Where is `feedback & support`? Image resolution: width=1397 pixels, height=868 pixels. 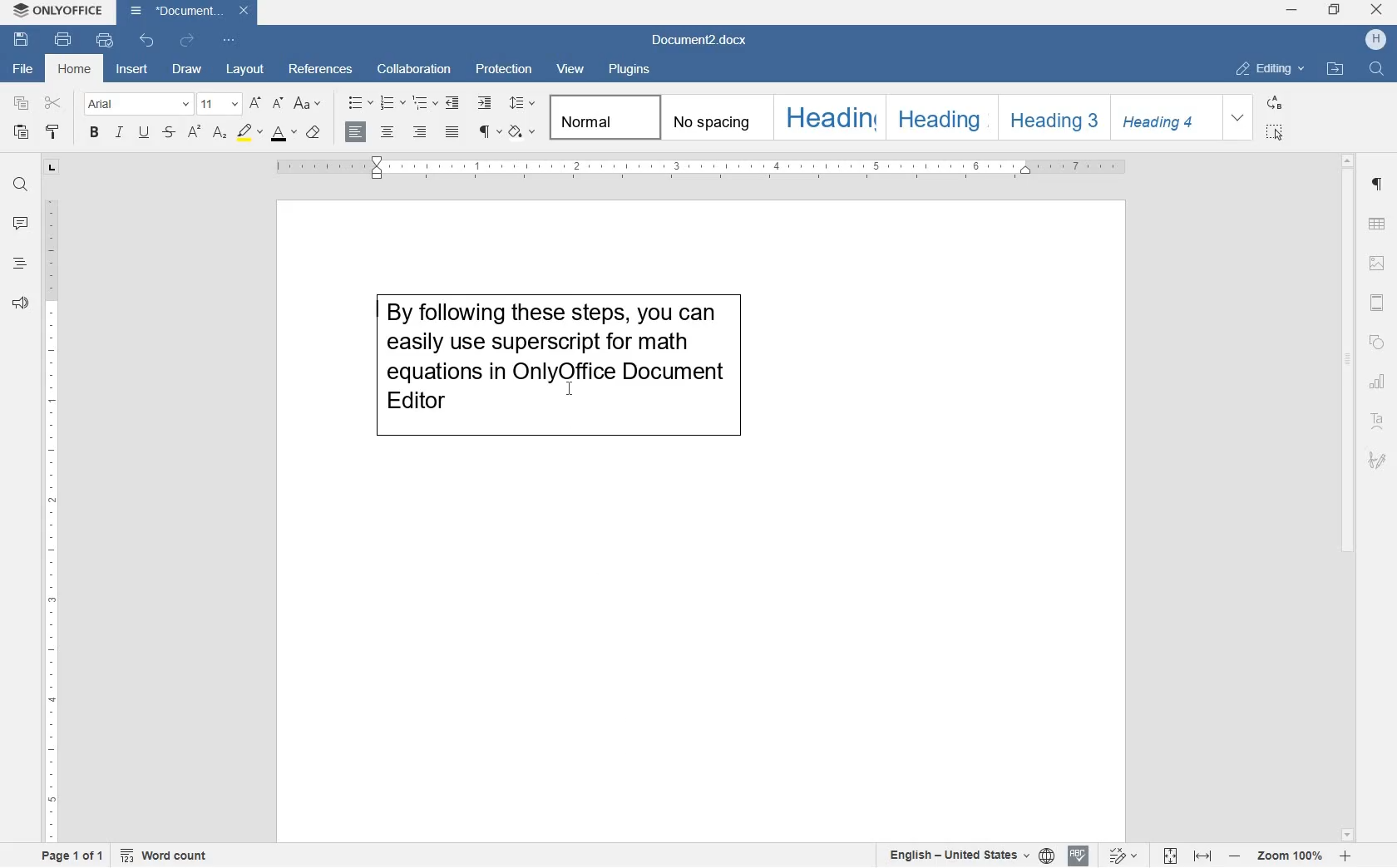 feedback & support is located at coordinates (18, 303).